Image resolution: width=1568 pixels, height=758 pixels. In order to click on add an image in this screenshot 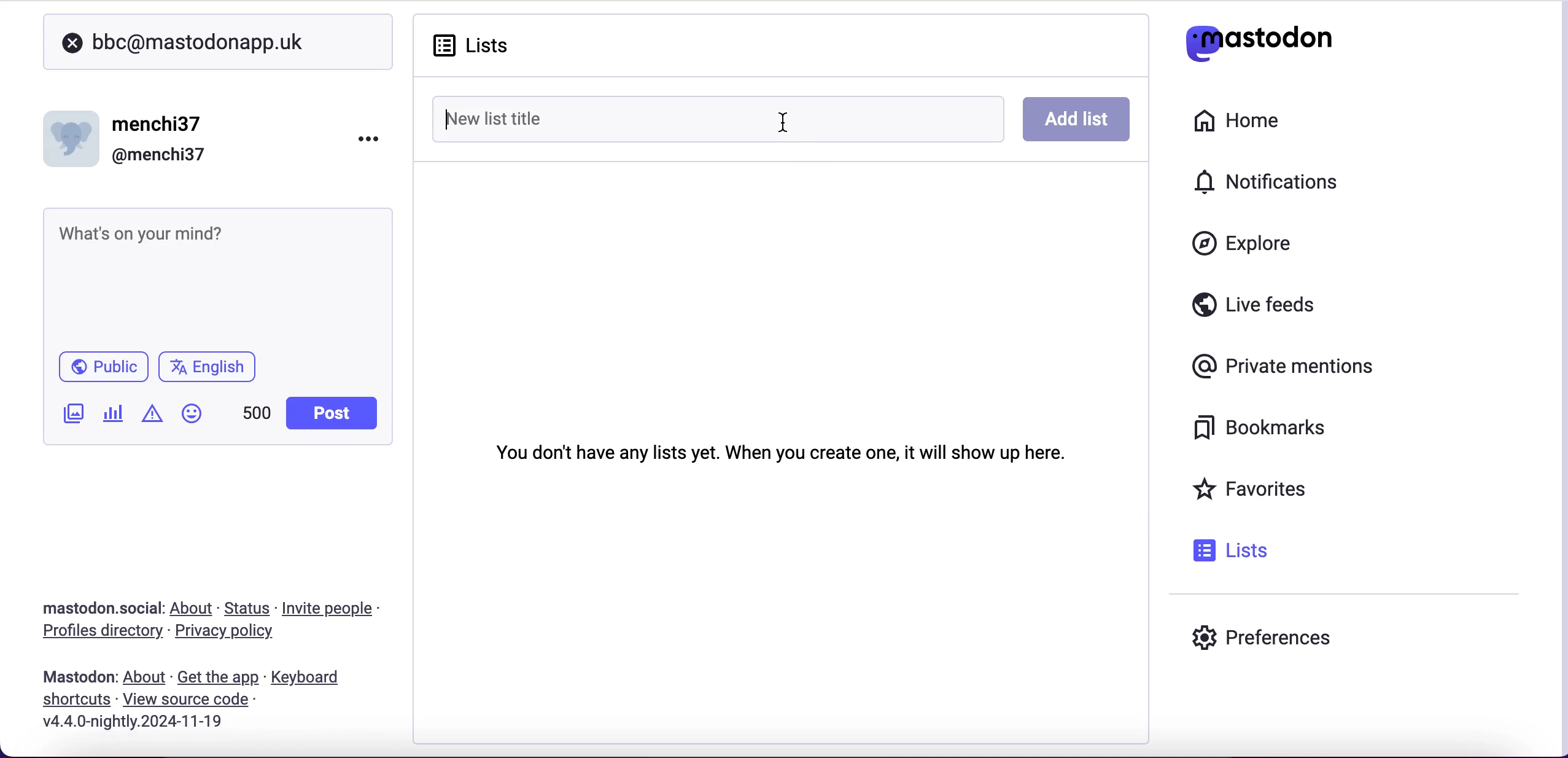, I will do `click(72, 413)`.